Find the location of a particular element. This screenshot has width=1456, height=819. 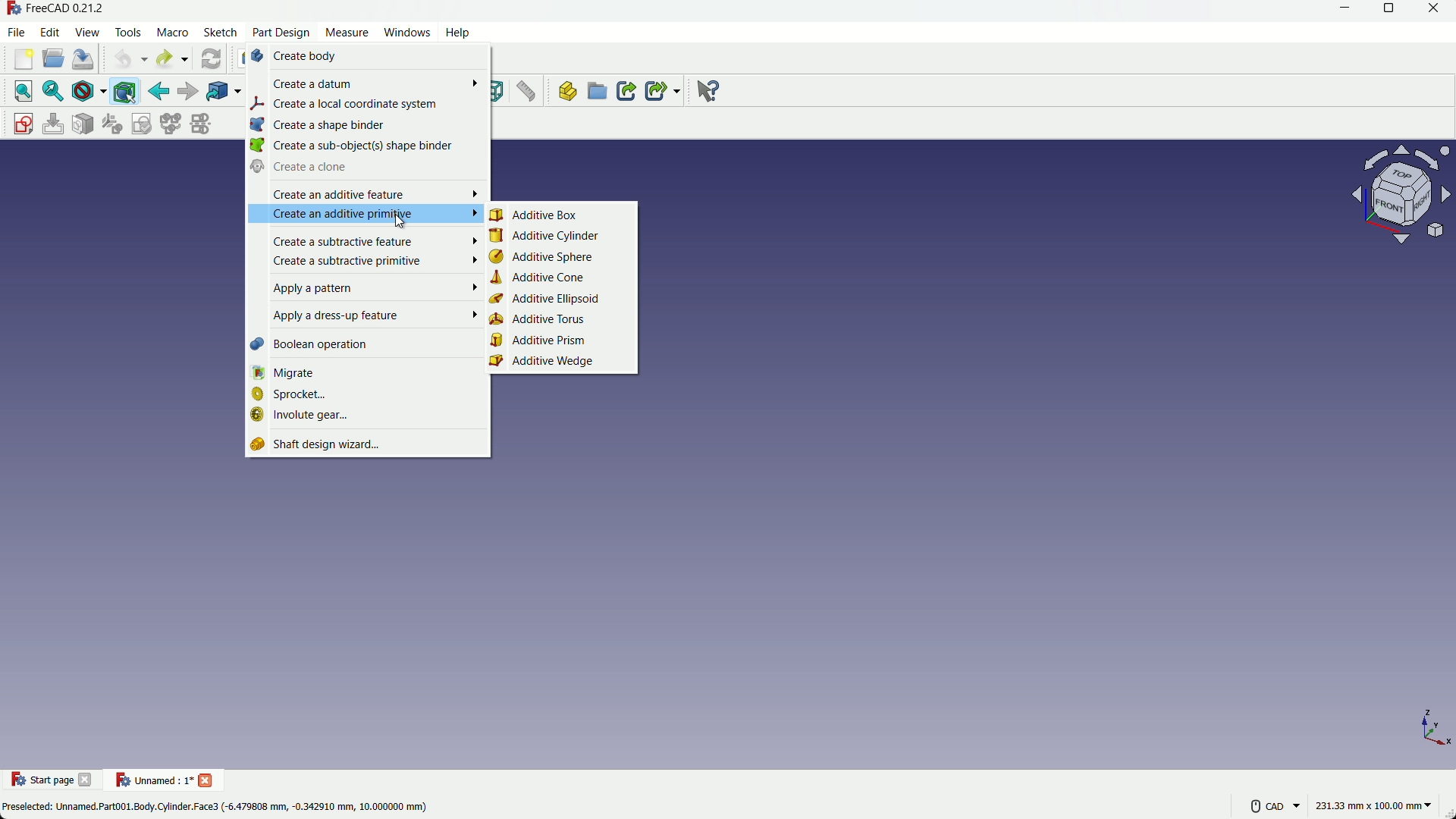

mirror sketch is located at coordinates (202, 124).